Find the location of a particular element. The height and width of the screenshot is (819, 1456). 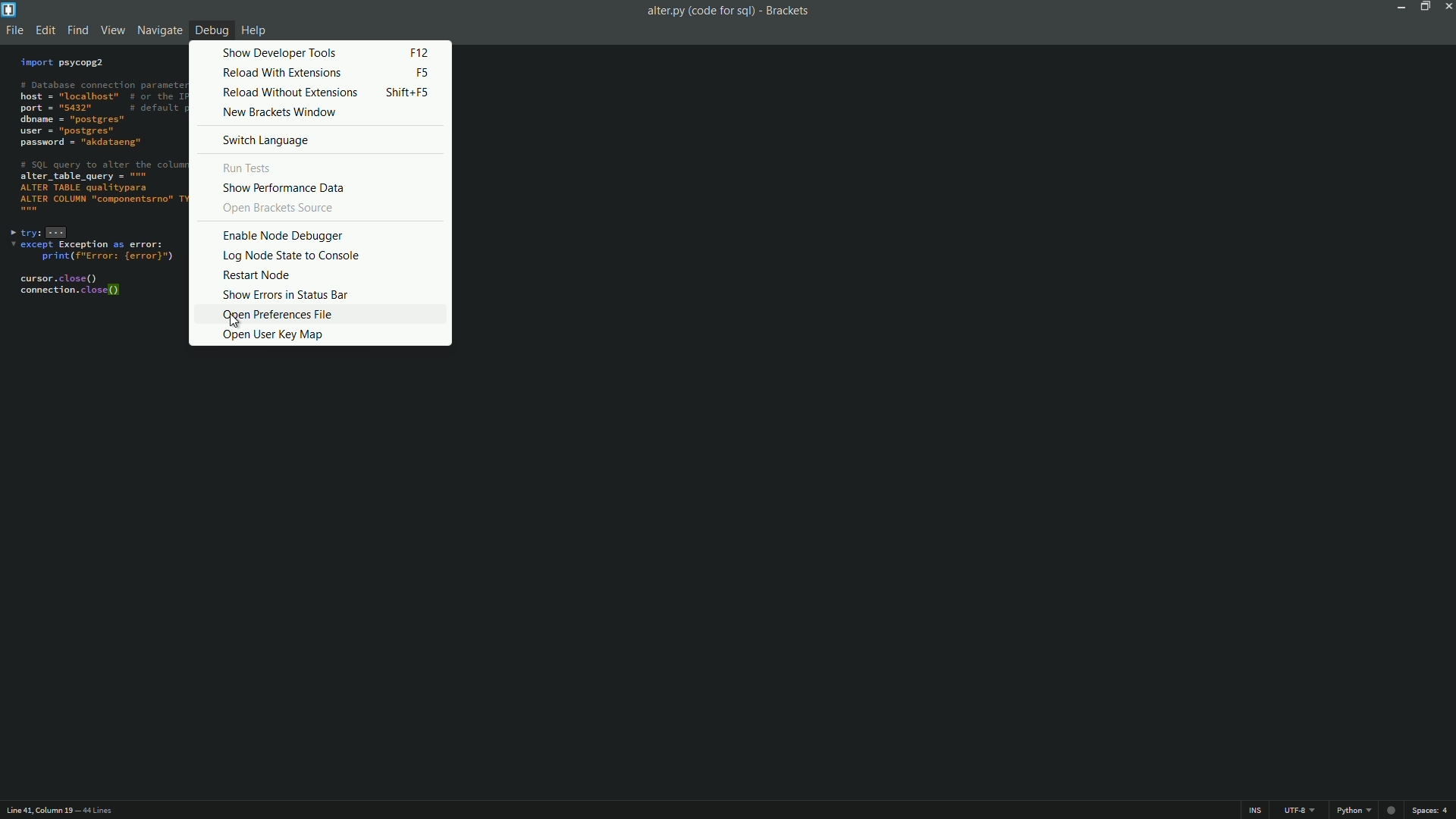

Python is located at coordinates (1354, 811).